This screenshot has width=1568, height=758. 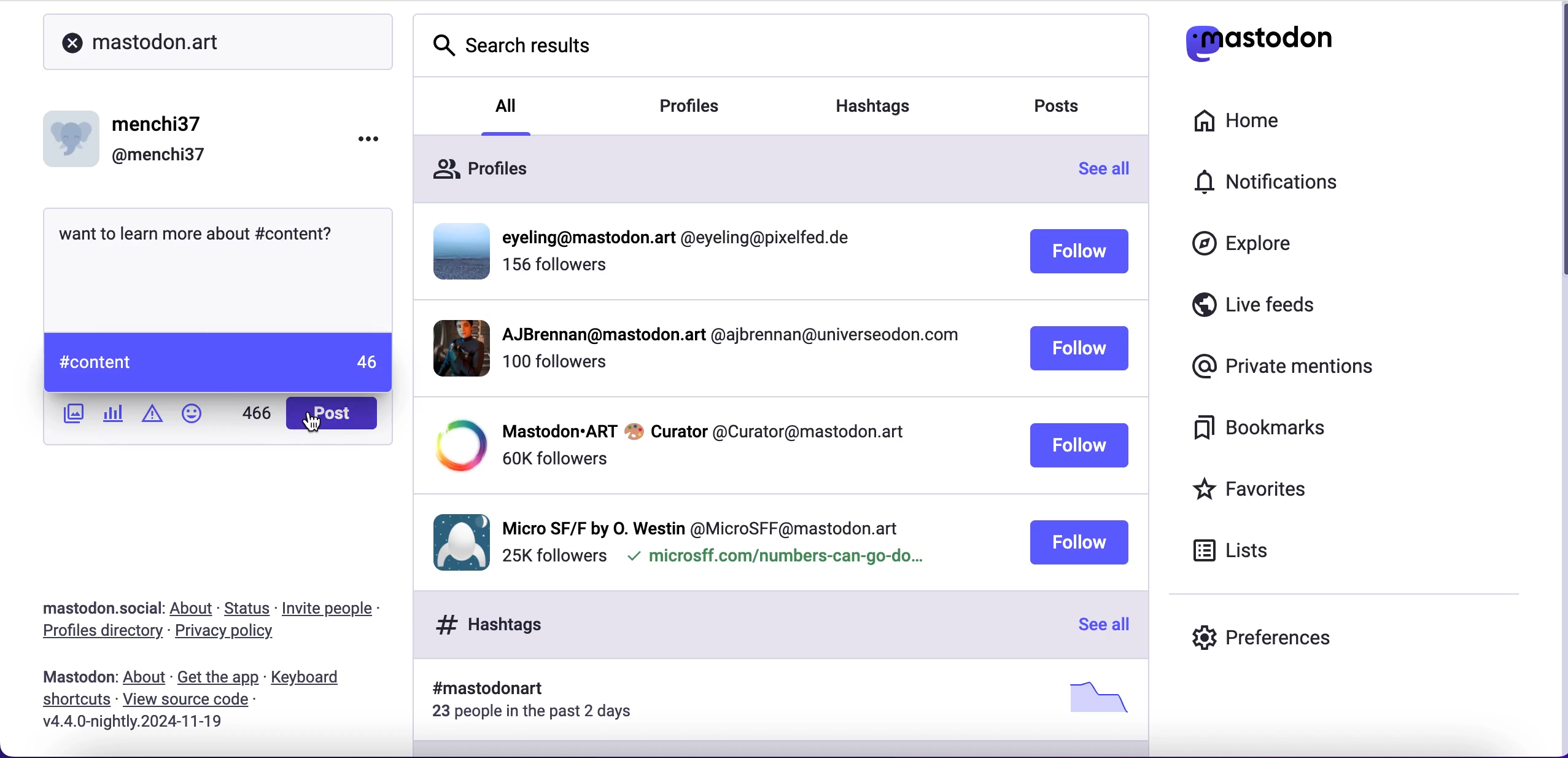 What do you see at coordinates (196, 413) in the screenshot?
I see `add emoji` at bounding box center [196, 413].